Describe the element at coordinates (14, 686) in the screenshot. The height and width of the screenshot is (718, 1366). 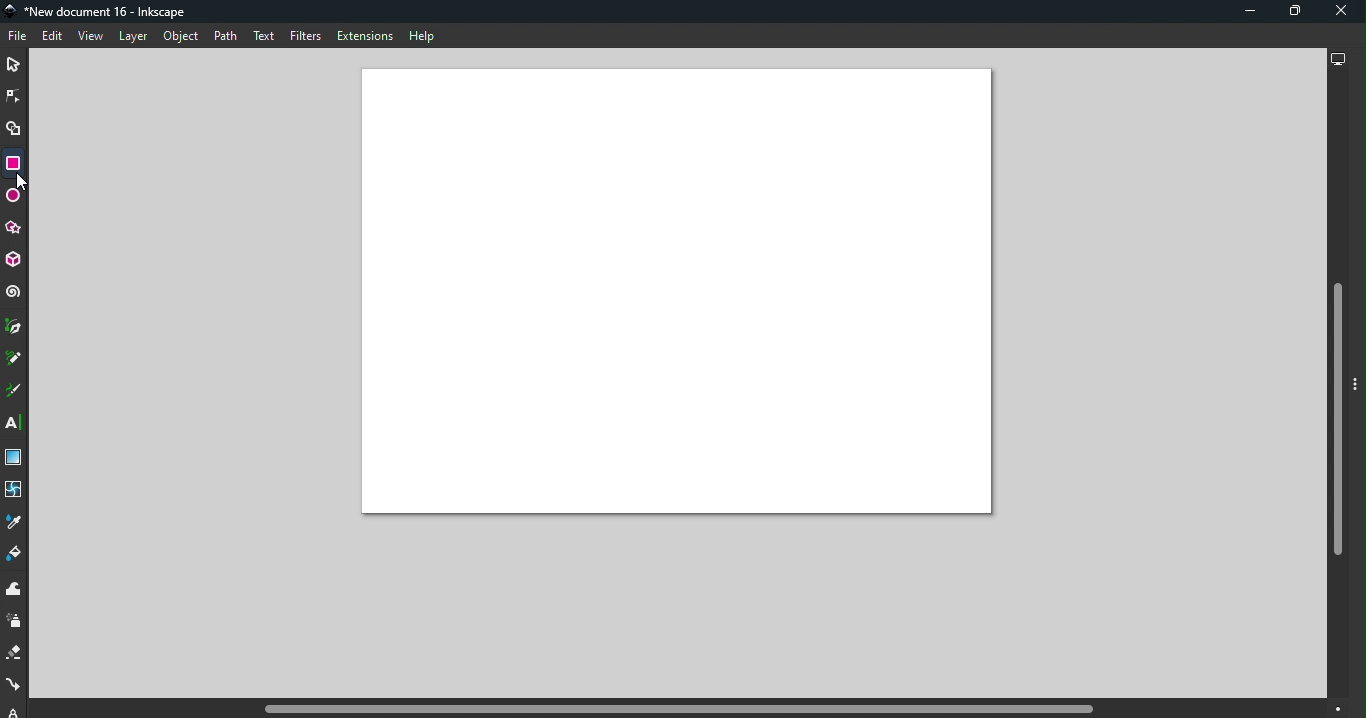
I see `Connector tool` at that location.